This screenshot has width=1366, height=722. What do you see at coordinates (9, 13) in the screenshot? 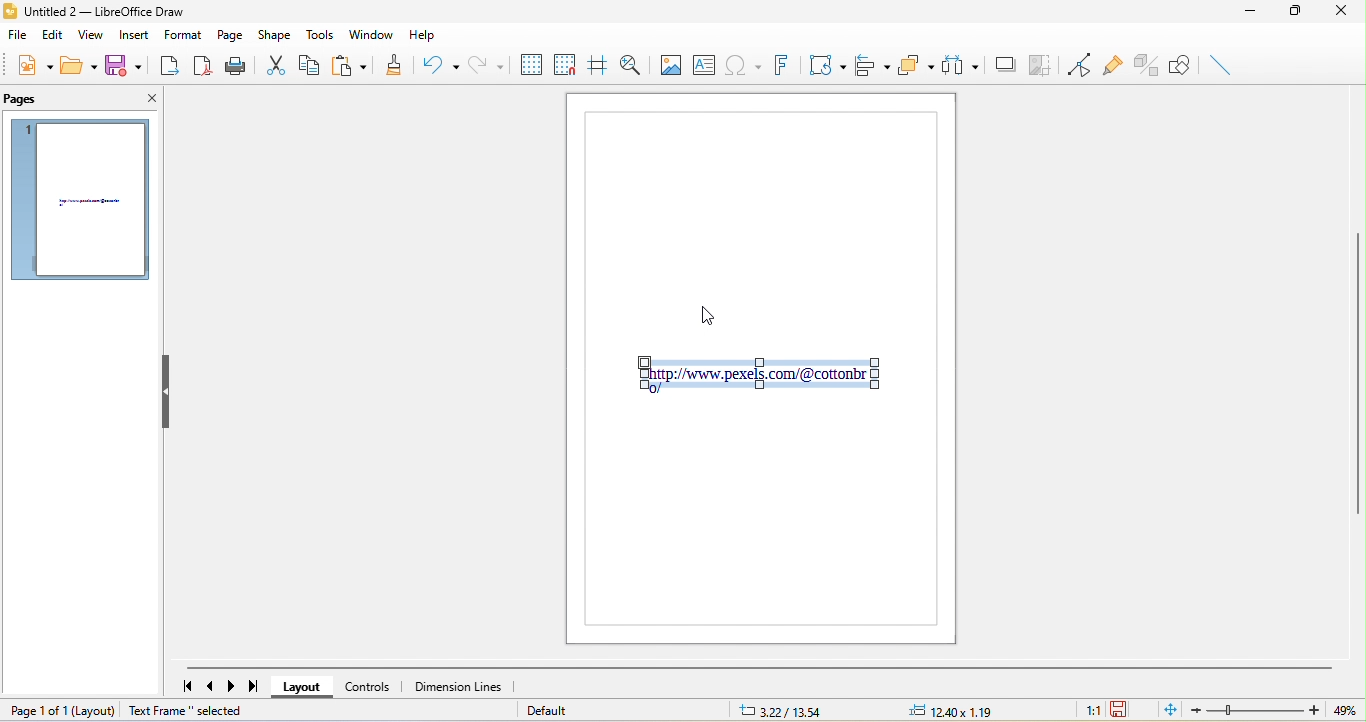
I see `Libre Logo` at bounding box center [9, 13].